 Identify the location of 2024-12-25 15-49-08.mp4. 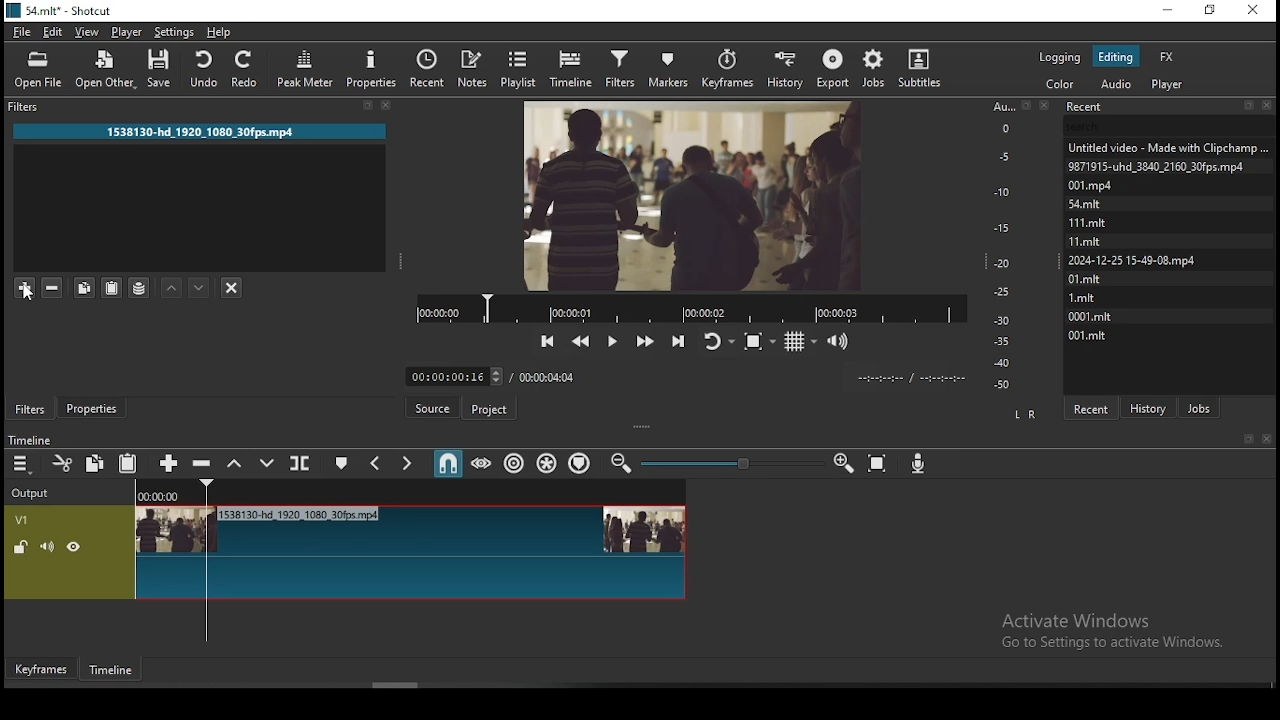
(1133, 260).